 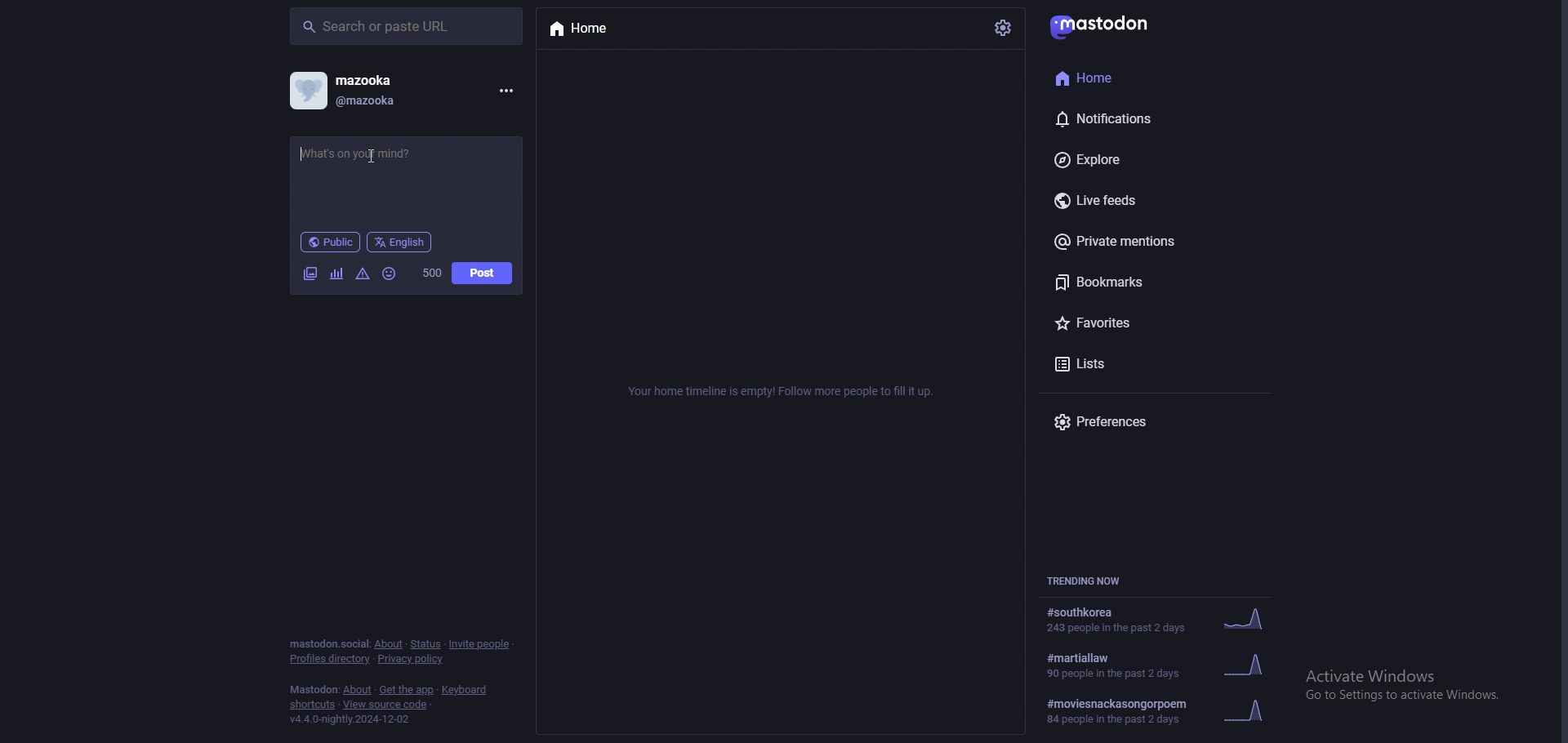 I want to click on preferences, so click(x=1142, y=422).